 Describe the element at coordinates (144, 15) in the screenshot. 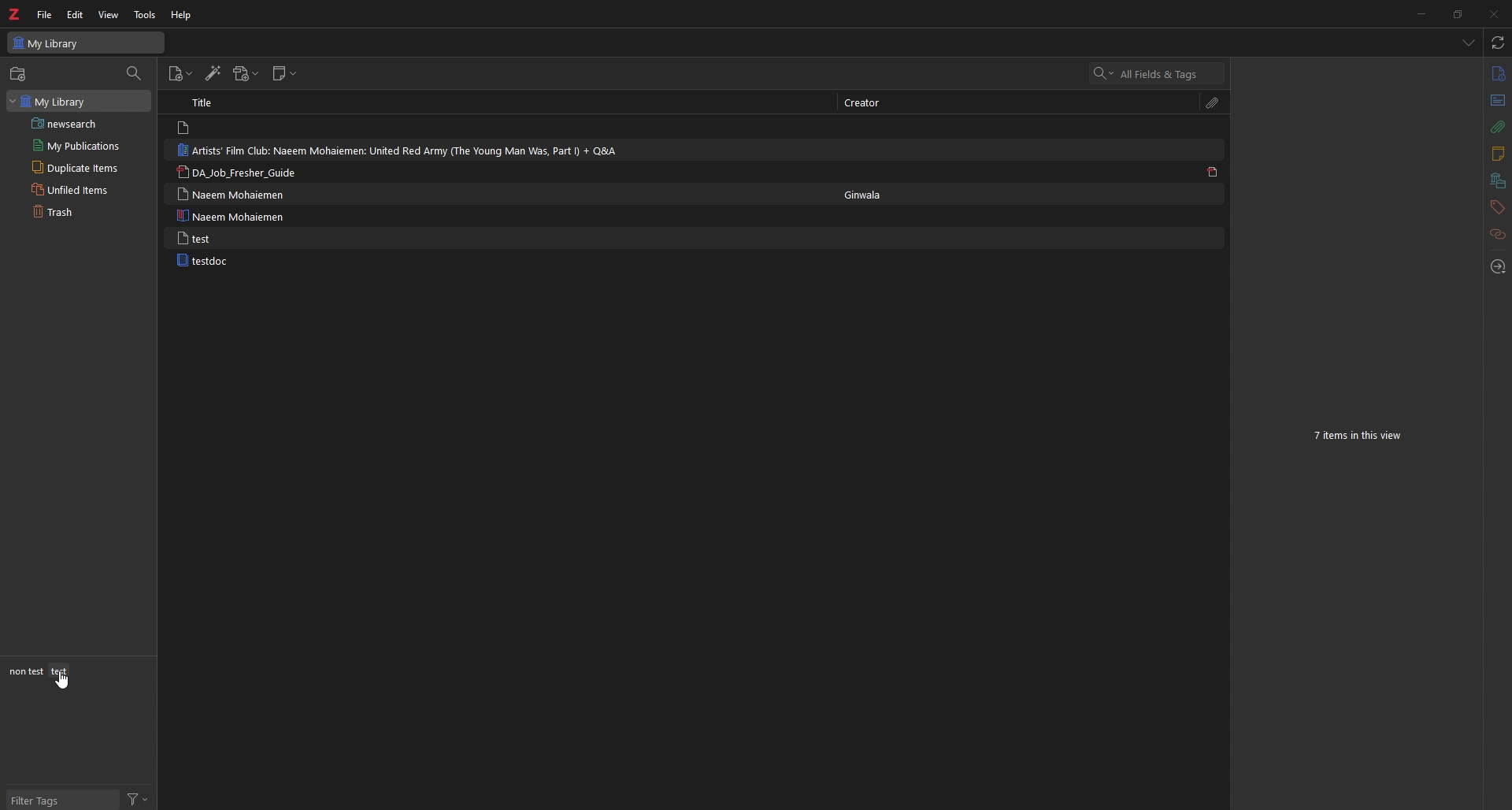

I see `tools` at that location.